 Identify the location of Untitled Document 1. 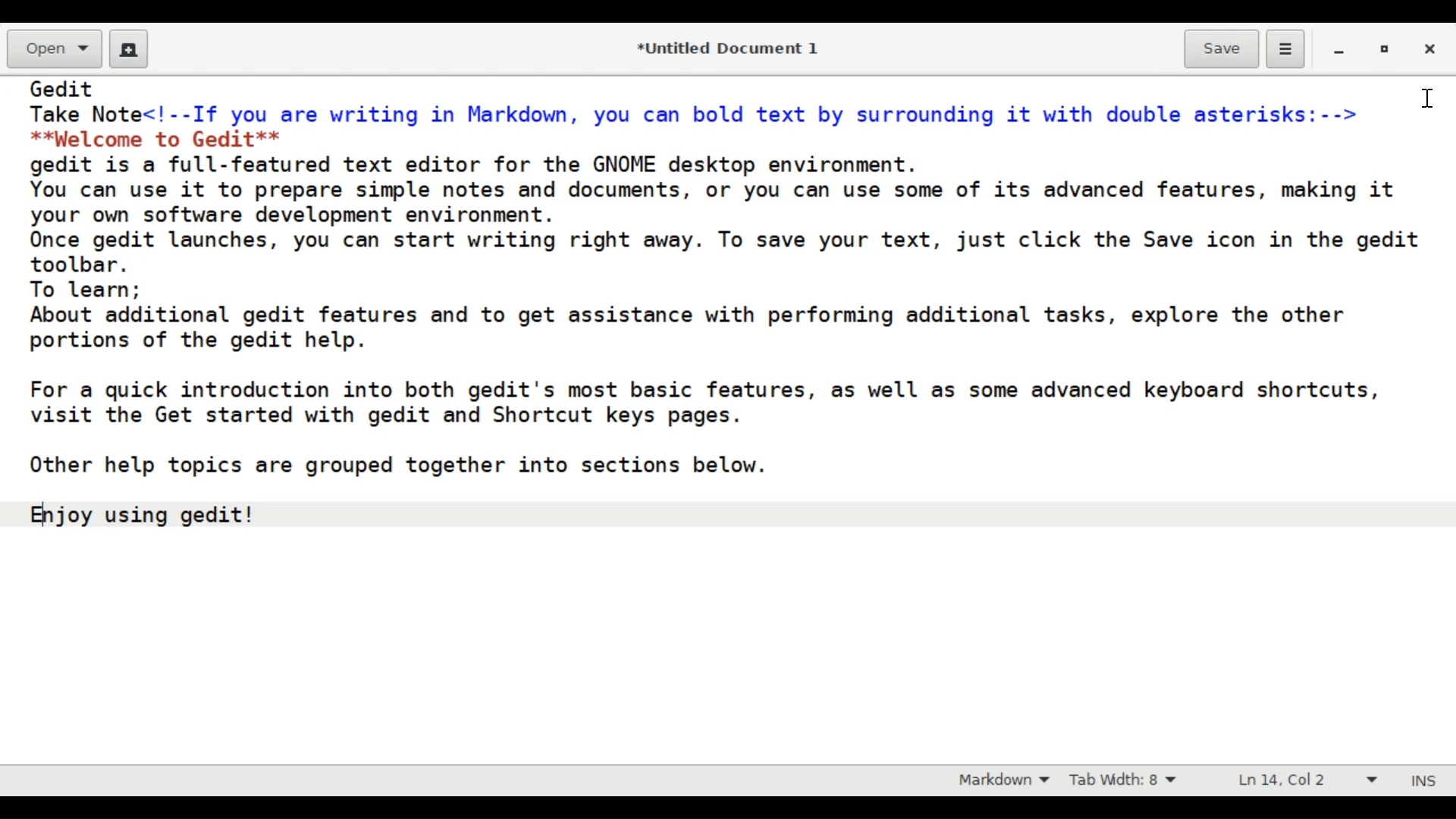
(736, 49).